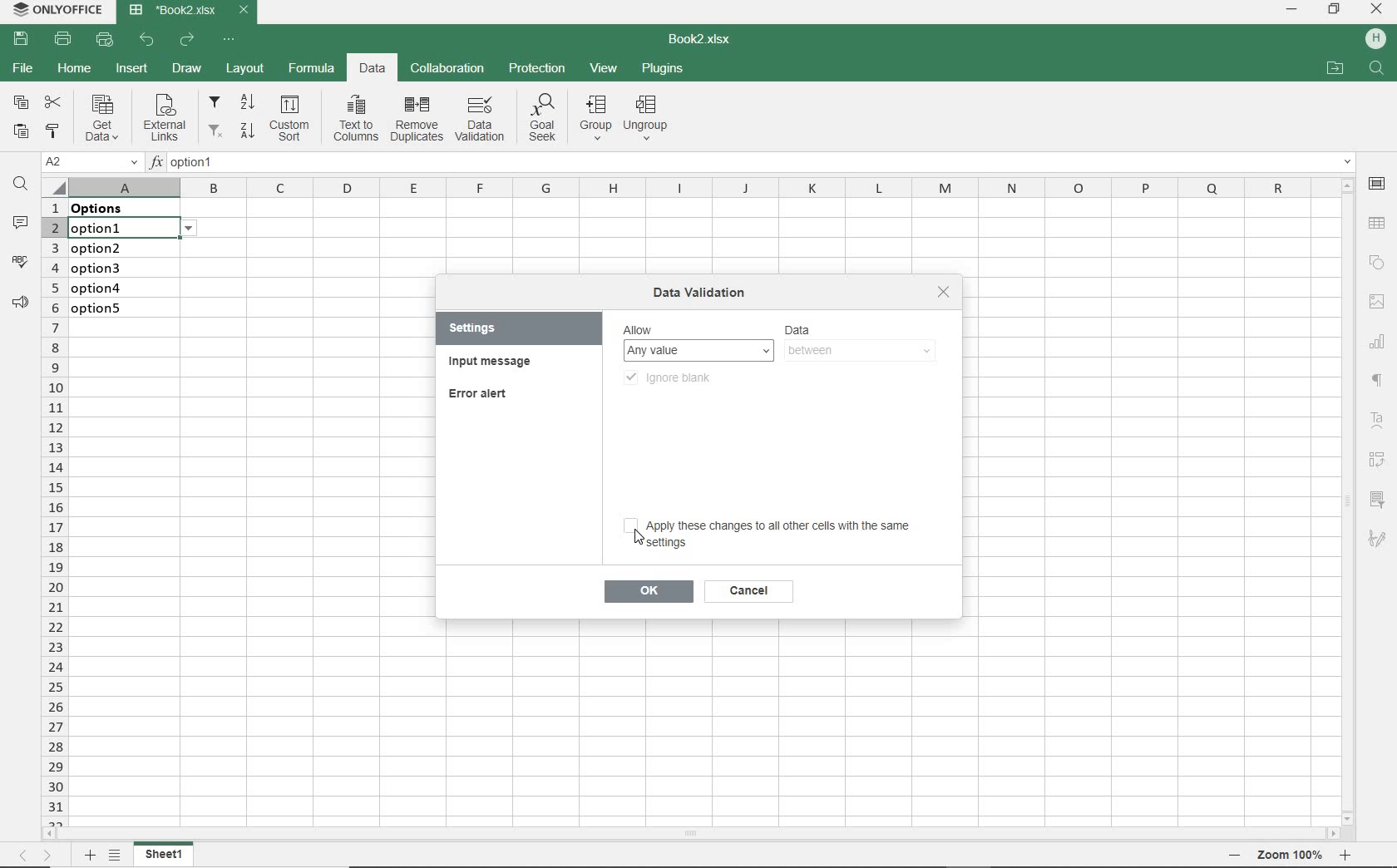 Image resolution: width=1397 pixels, height=868 pixels. Describe the element at coordinates (597, 120) in the screenshot. I see `group` at that location.